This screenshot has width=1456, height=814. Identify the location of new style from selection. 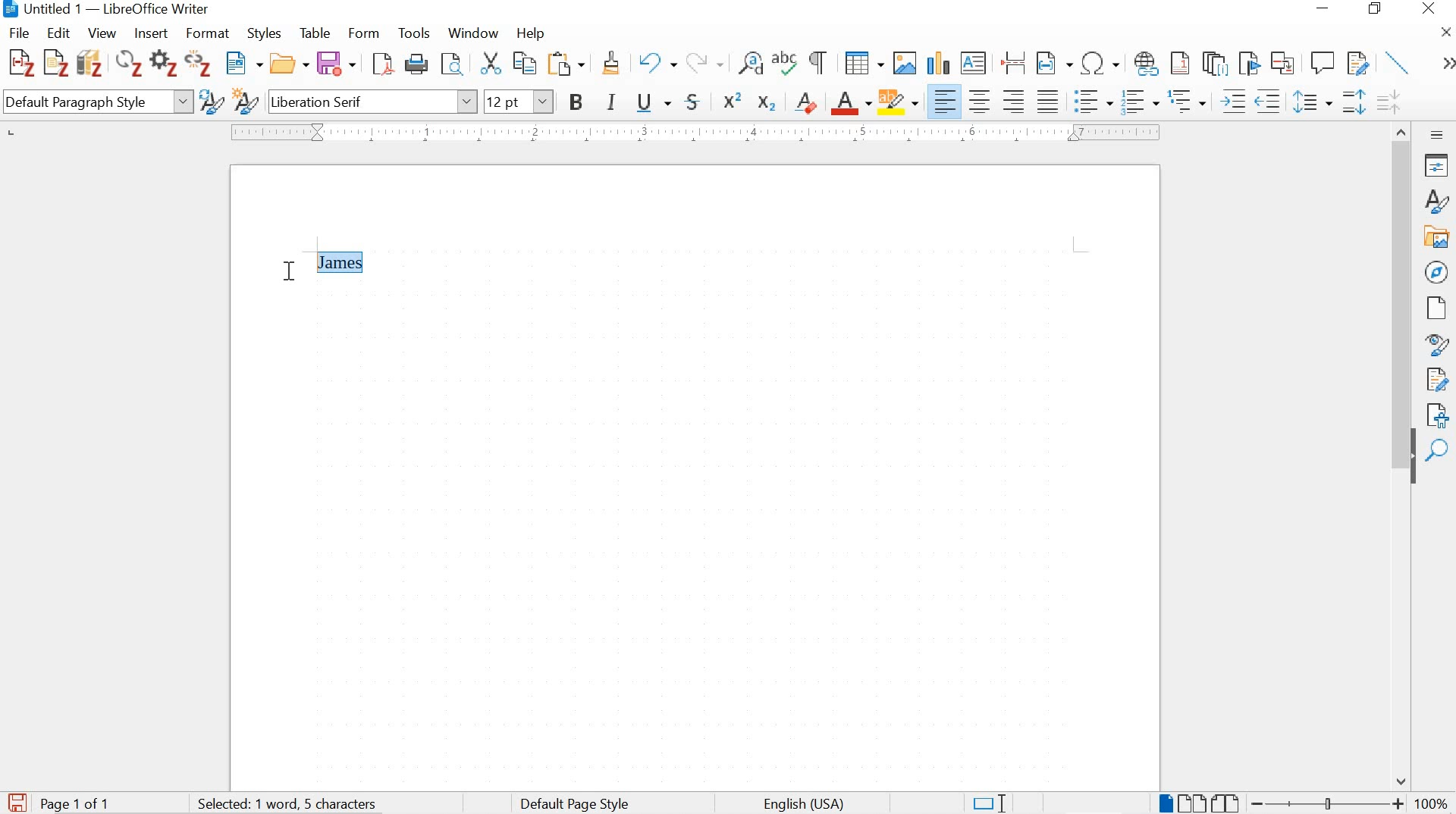
(245, 103).